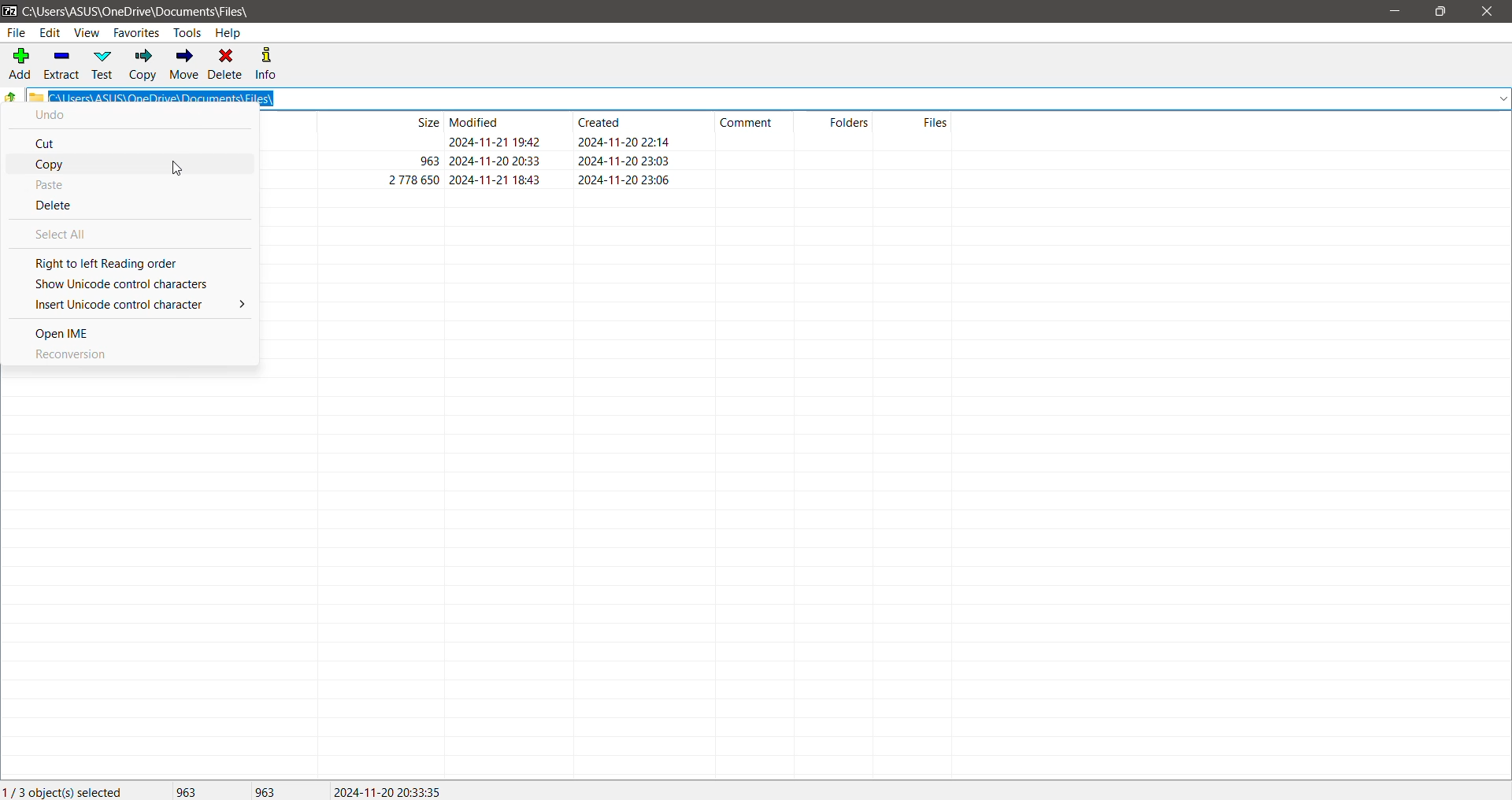 The image size is (1512, 800). I want to click on Total Size of selected file(s), so click(187, 790).